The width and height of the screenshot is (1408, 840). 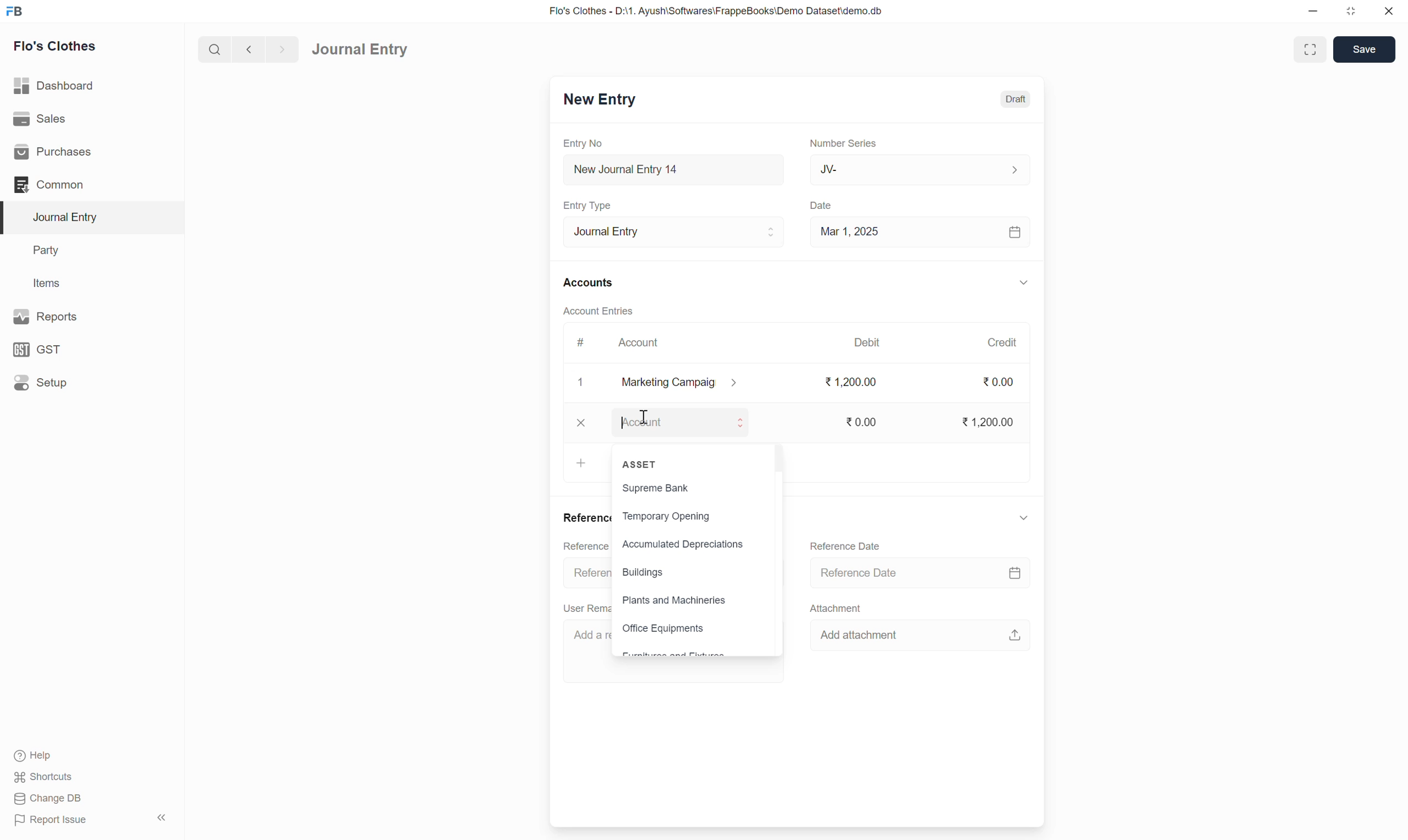 I want to click on enlarge, so click(x=1312, y=48).